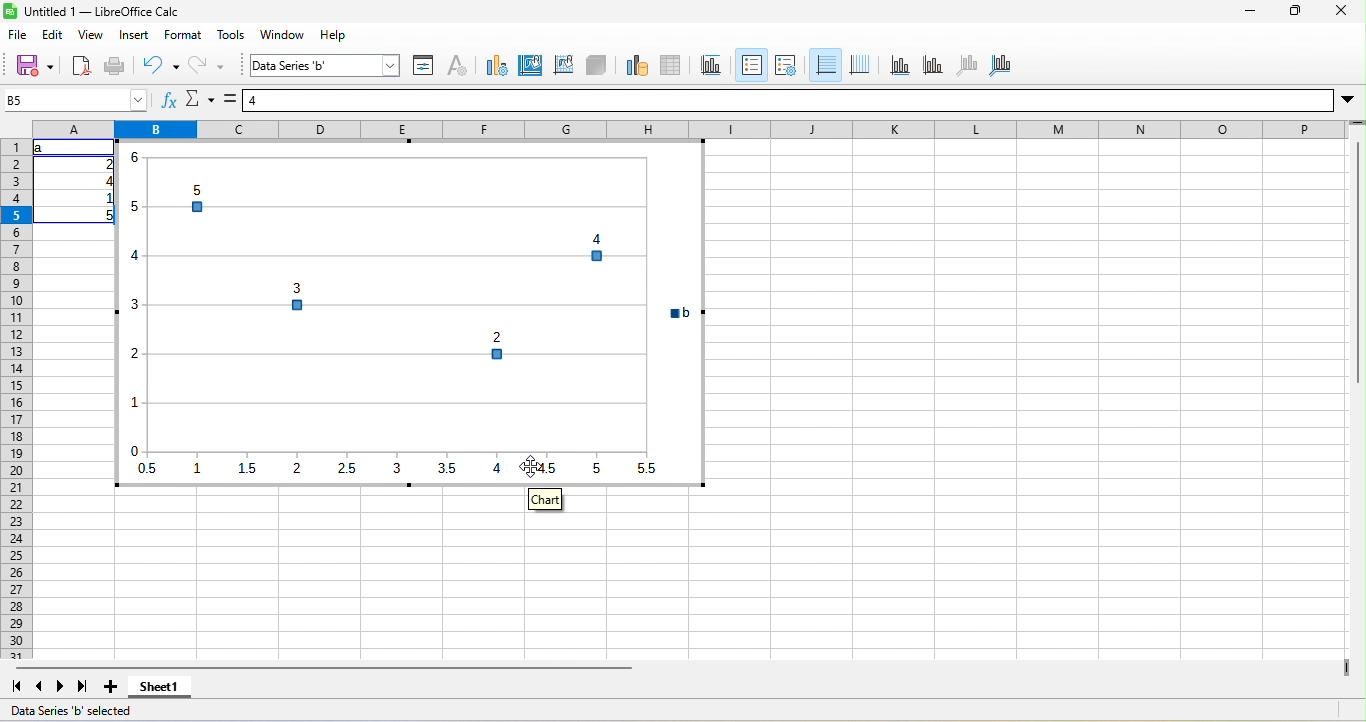 This screenshot has width=1366, height=722. Describe the element at coordinates (596, 67) in the screenshot. I see `3d view` at that location.